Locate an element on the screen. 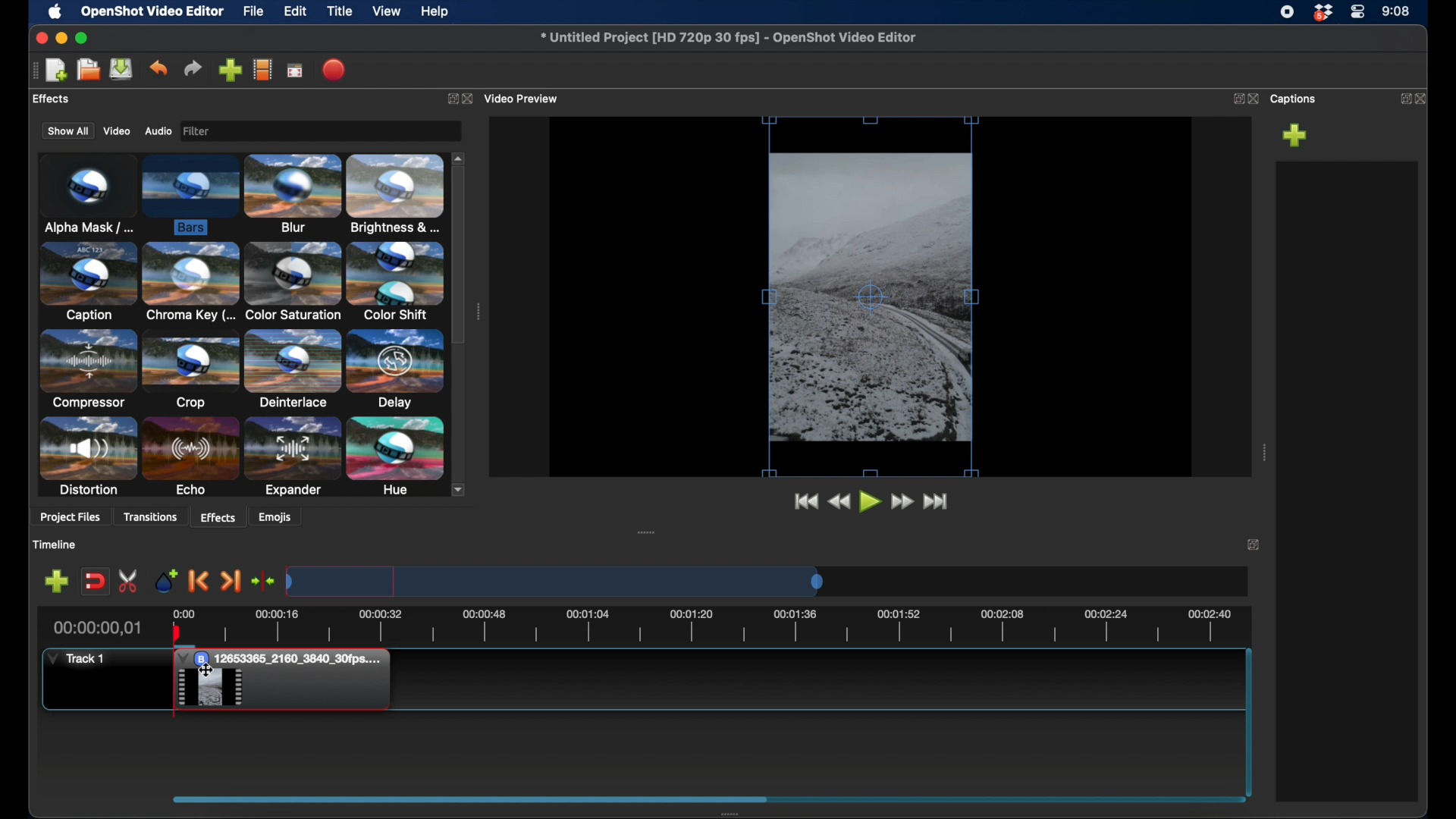 The image size is (1456, 819). scroll box is located at coordinates (469, 799).